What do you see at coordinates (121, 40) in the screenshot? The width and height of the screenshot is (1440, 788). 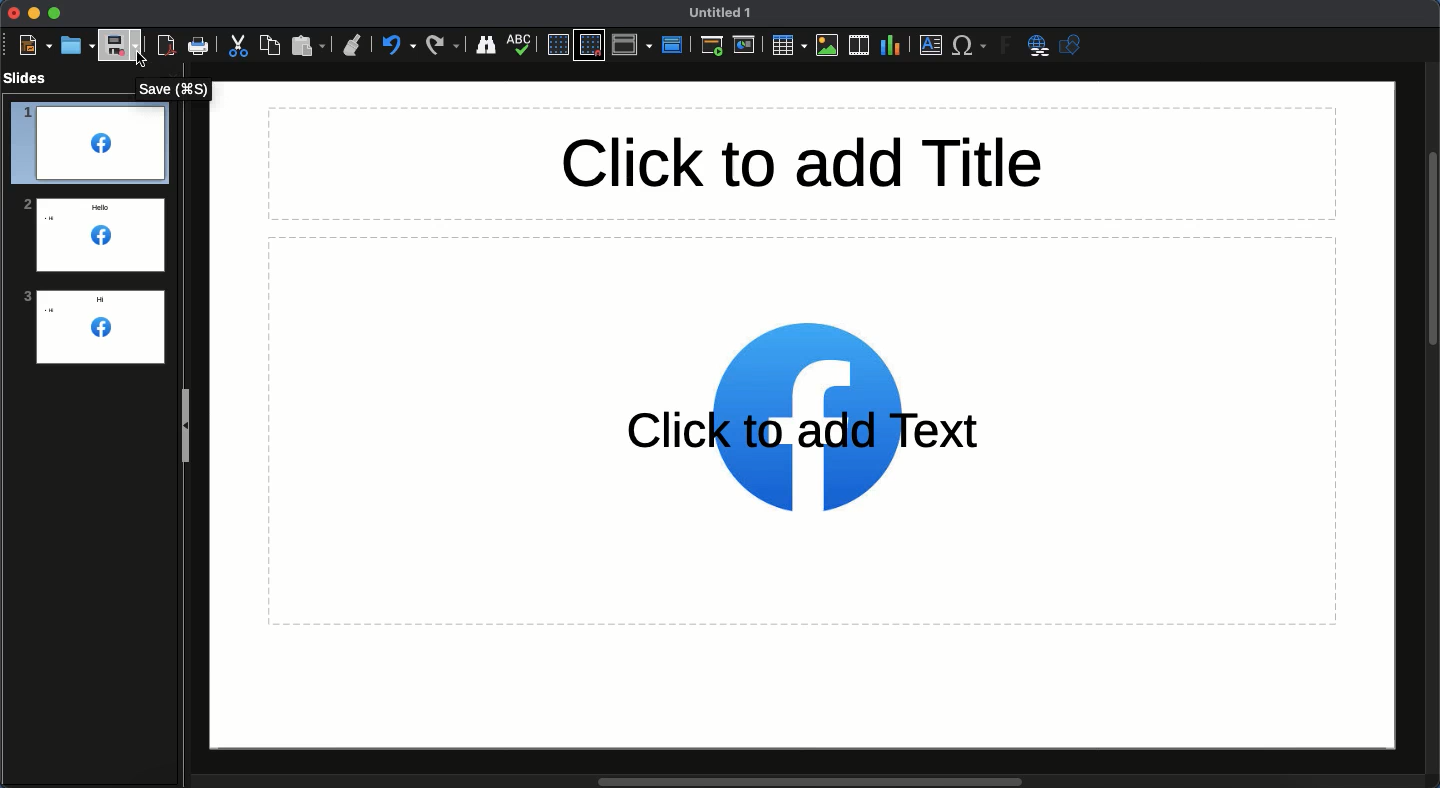 I see `Save` at bounding box center [121, 40].